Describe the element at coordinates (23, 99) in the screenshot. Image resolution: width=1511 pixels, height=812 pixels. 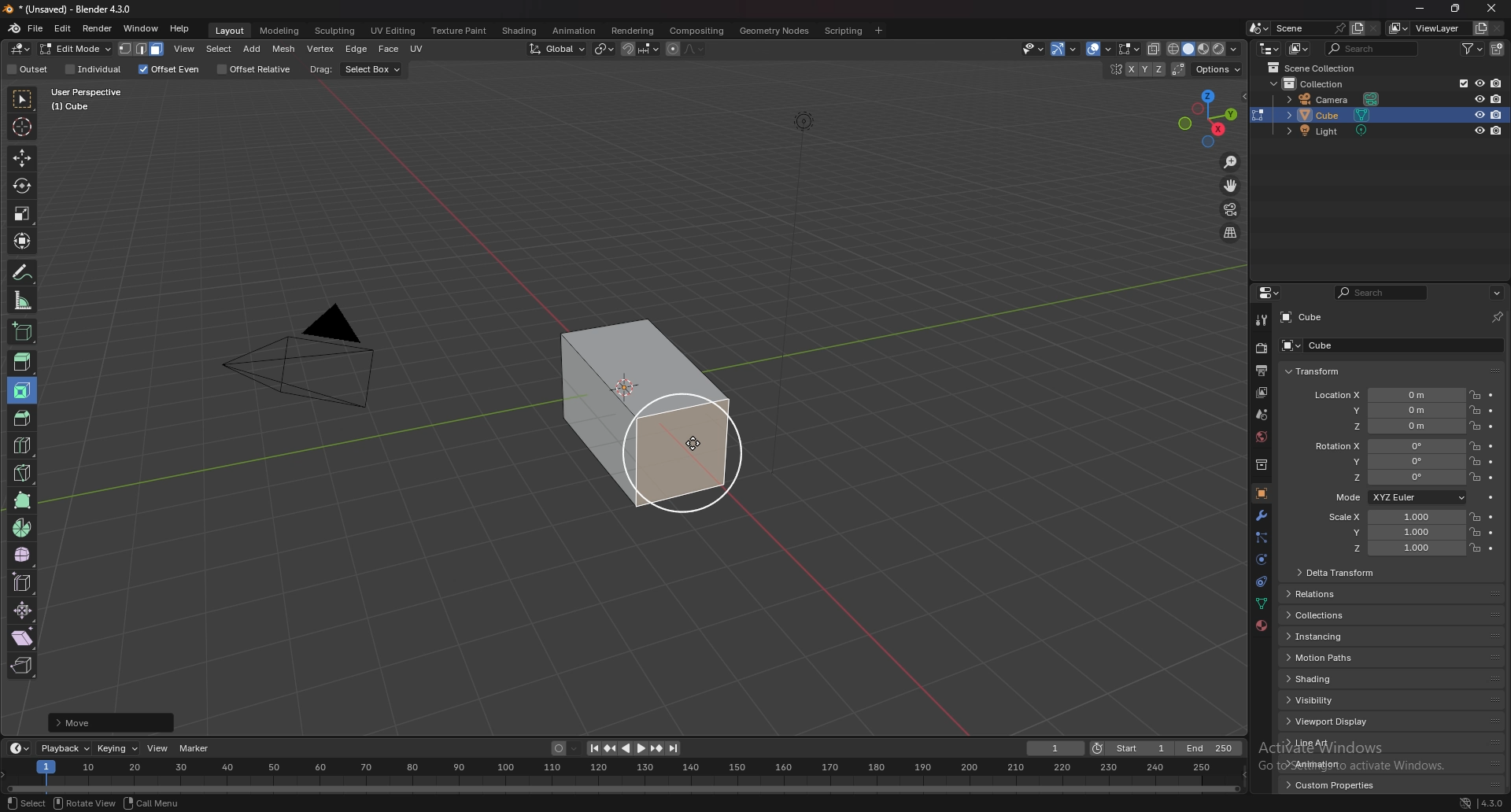
I see `selector` at that location.